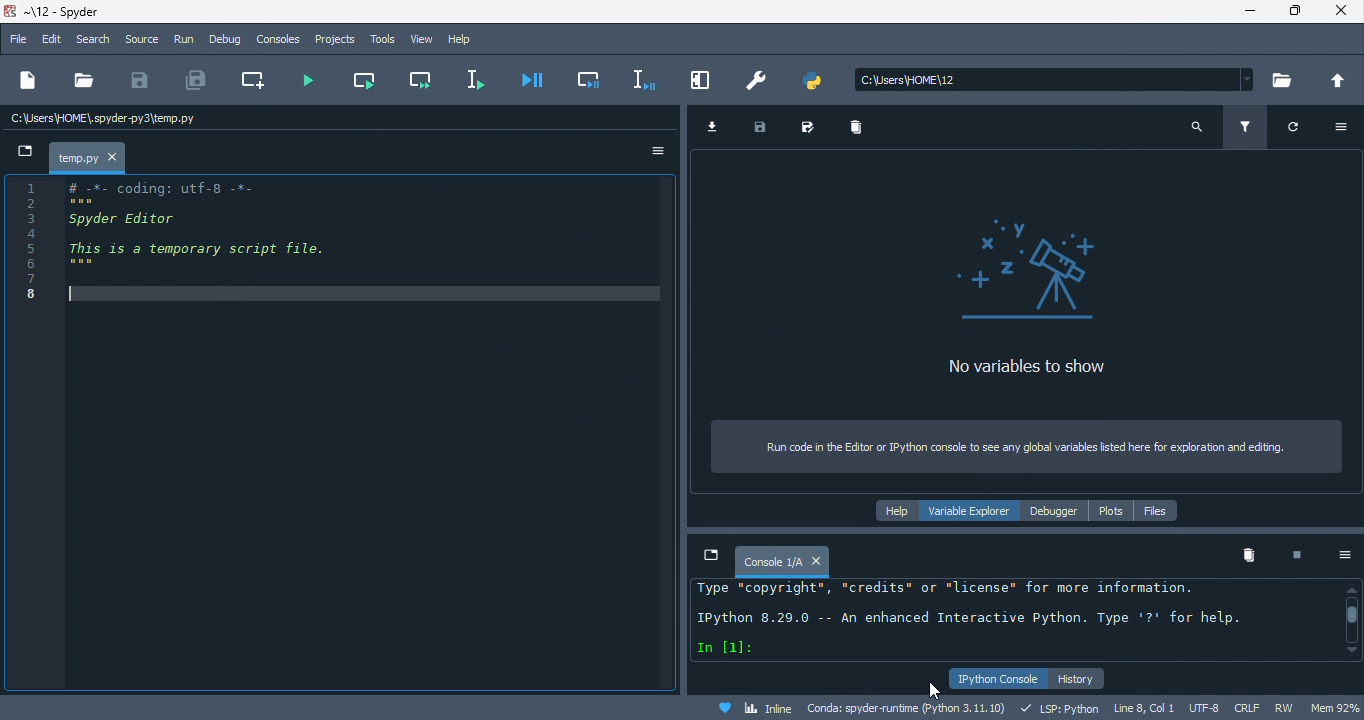 This screenshot has height=720, width=1364. I want to click on conda spyder runtime, so click(908, 707).